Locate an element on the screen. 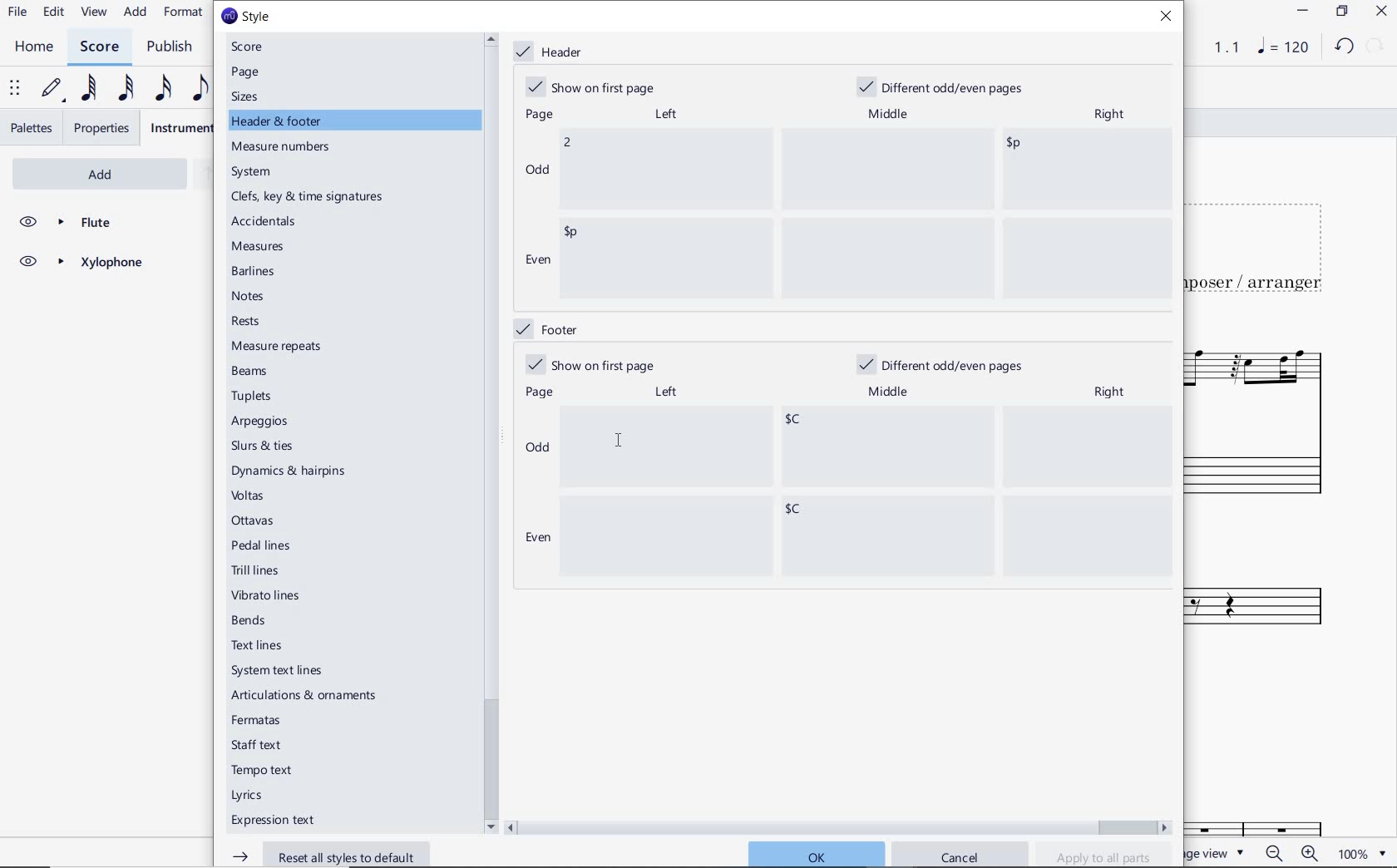  score is located at coordinates (254, 47).